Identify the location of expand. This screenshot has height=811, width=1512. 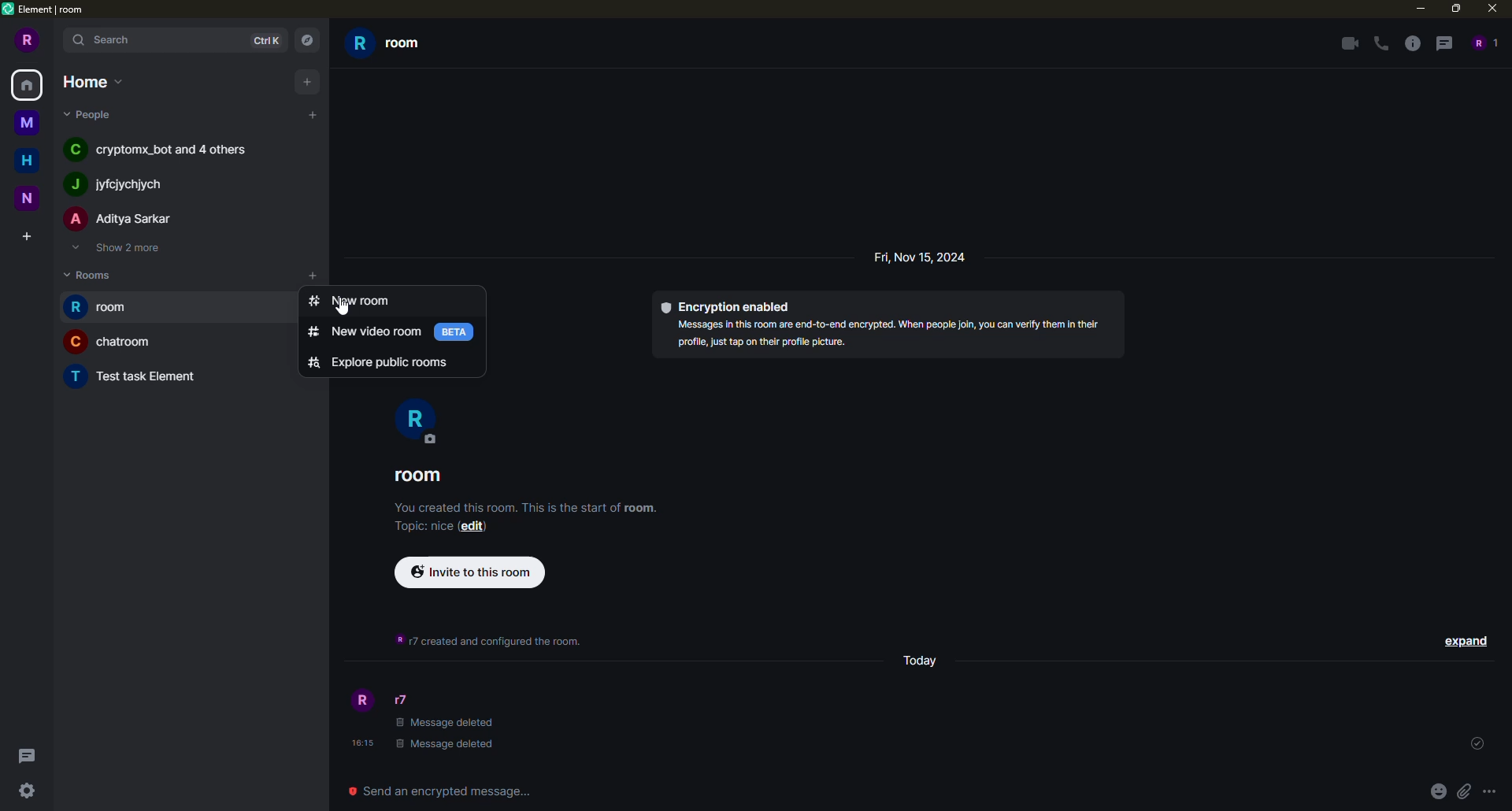
(1463, 641).